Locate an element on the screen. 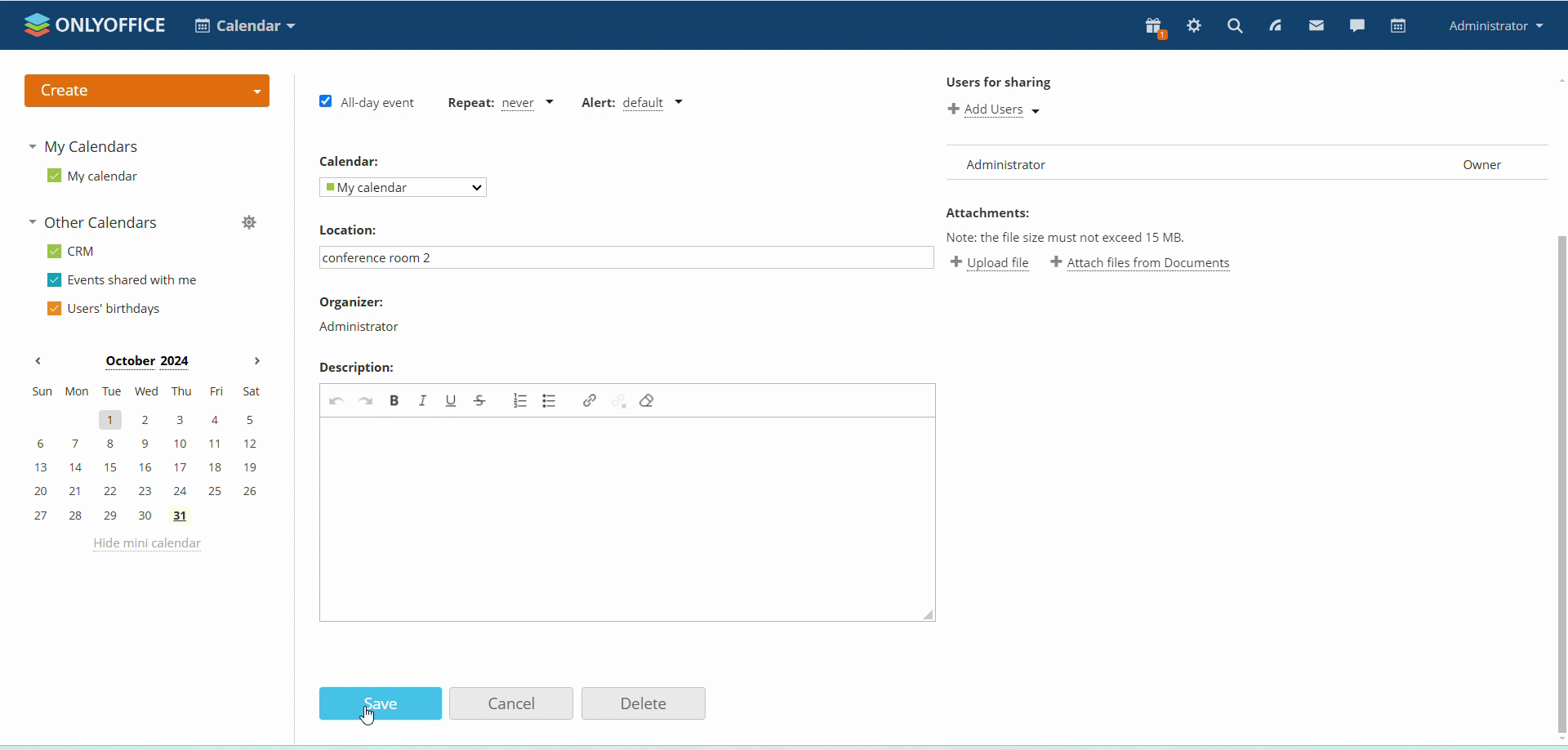  select application is located at coordinates (245, 25).